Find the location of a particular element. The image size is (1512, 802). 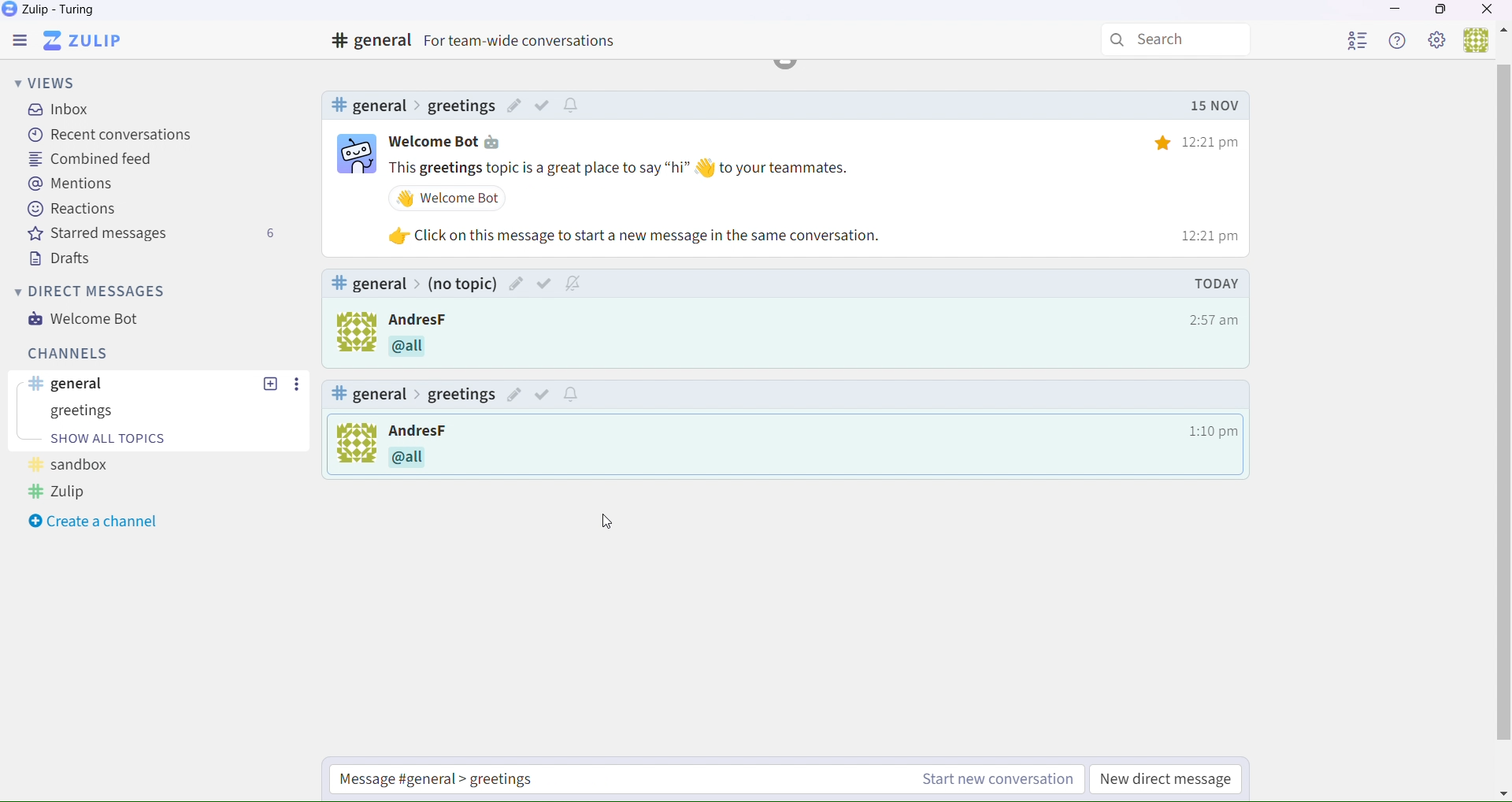

start a conversation is located at coordinates (125, 440).